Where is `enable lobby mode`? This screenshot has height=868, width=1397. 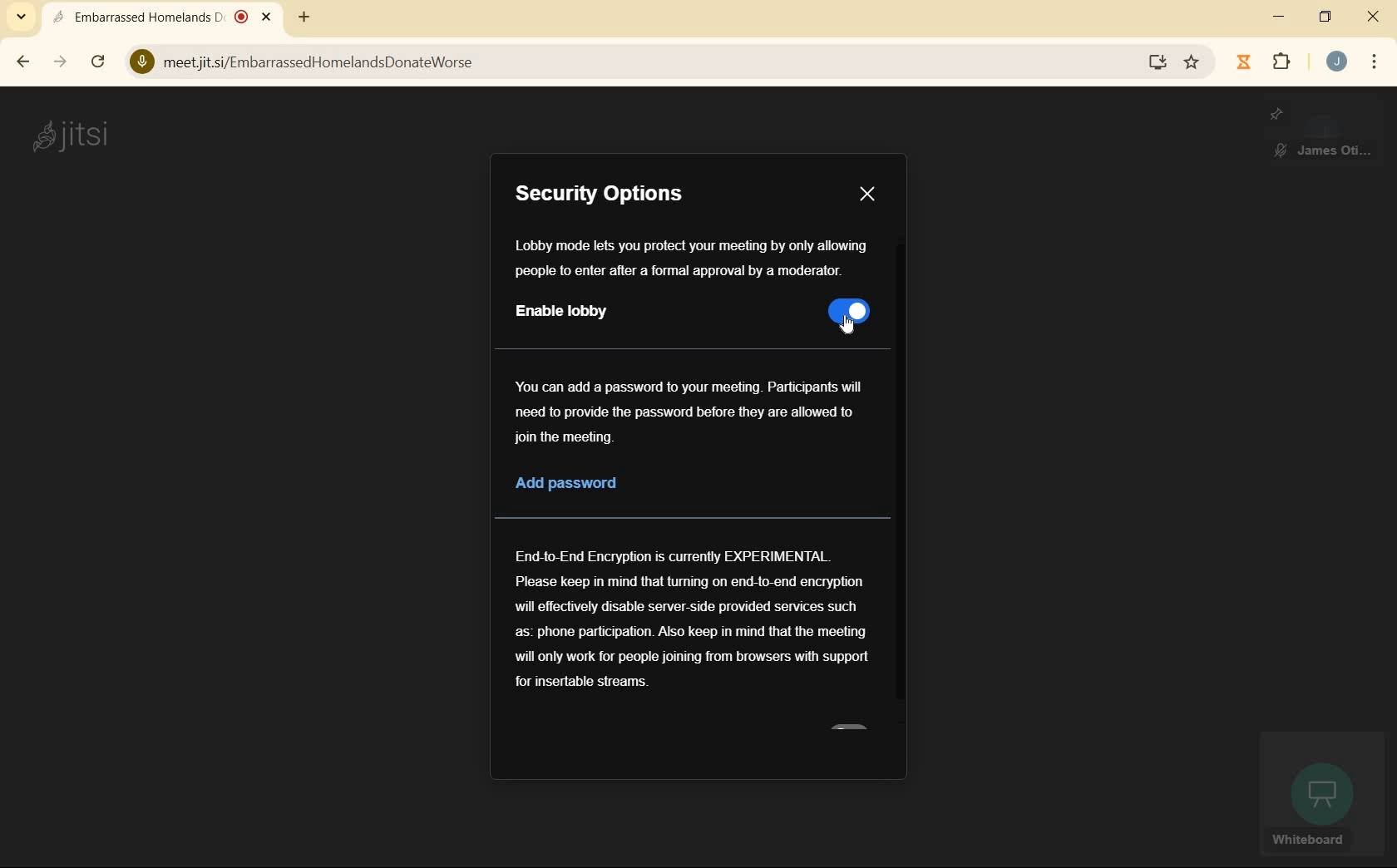 enable lobby mode is located at coordinates (637, 315).